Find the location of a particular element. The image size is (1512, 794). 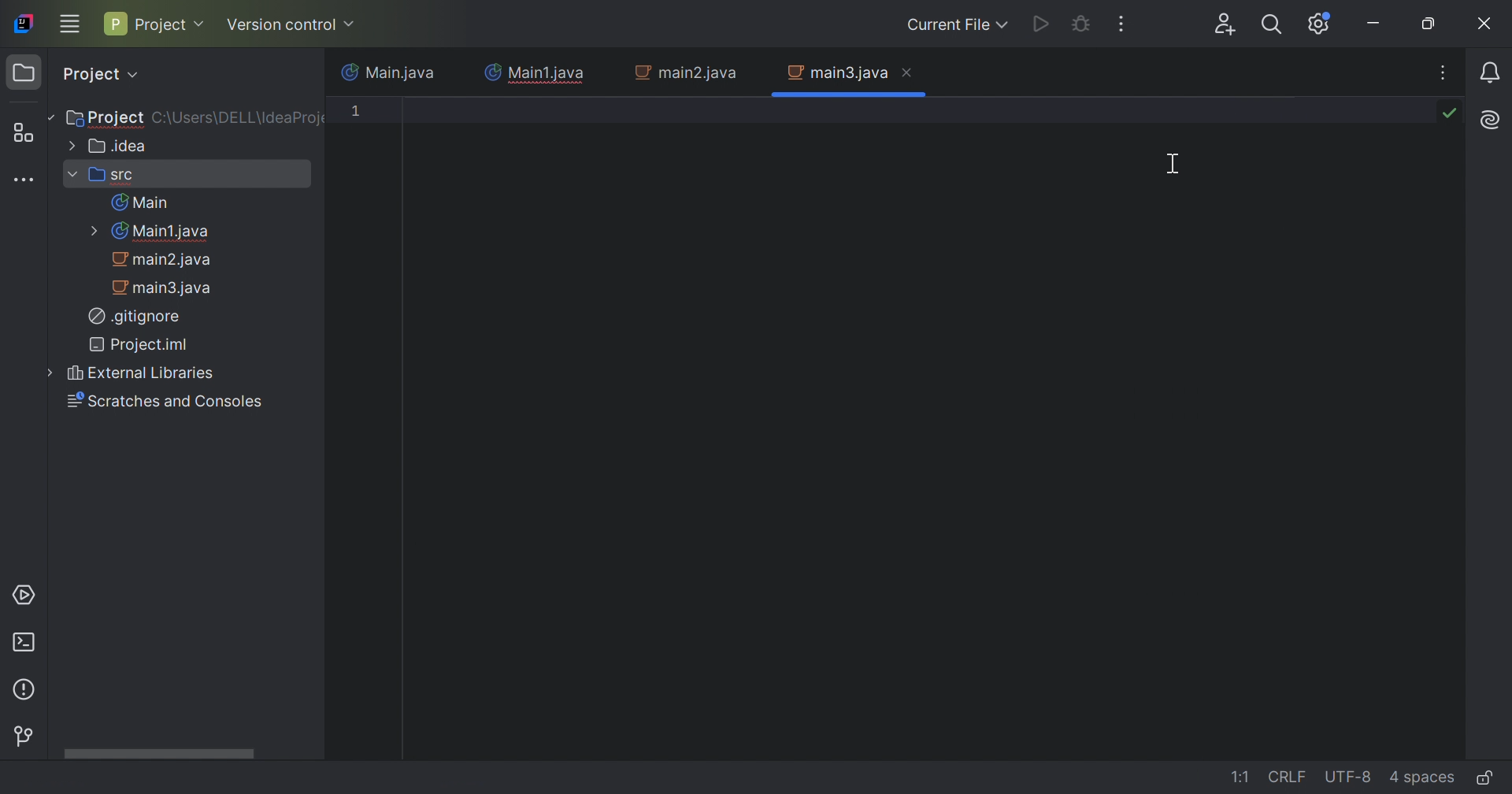

Project is located at coordinates (156, 25).